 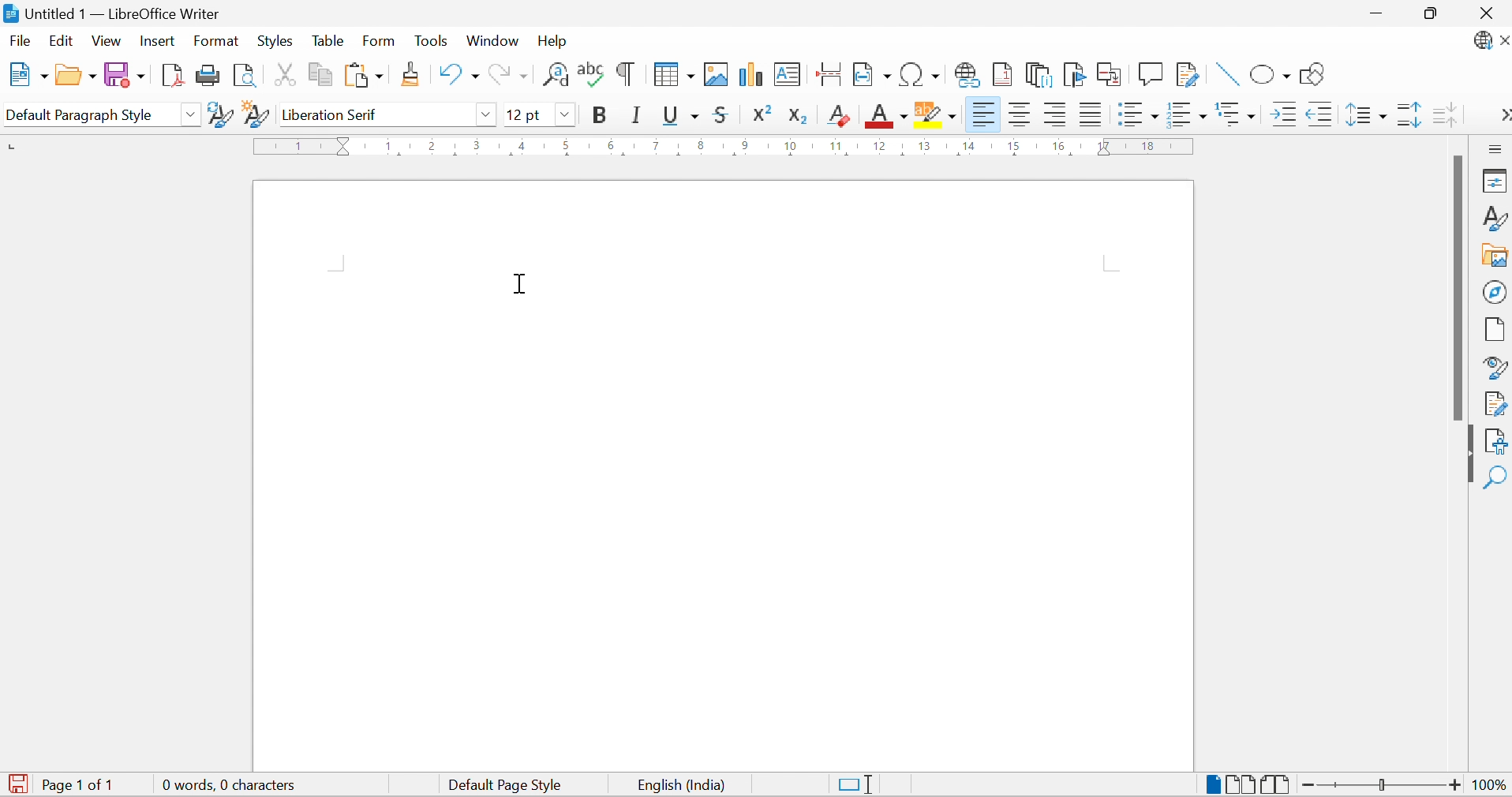 What do you see at coordinates (1281, 114) in the screenshot?
I see `Increase Indent` at bounding box center [1281, 114].